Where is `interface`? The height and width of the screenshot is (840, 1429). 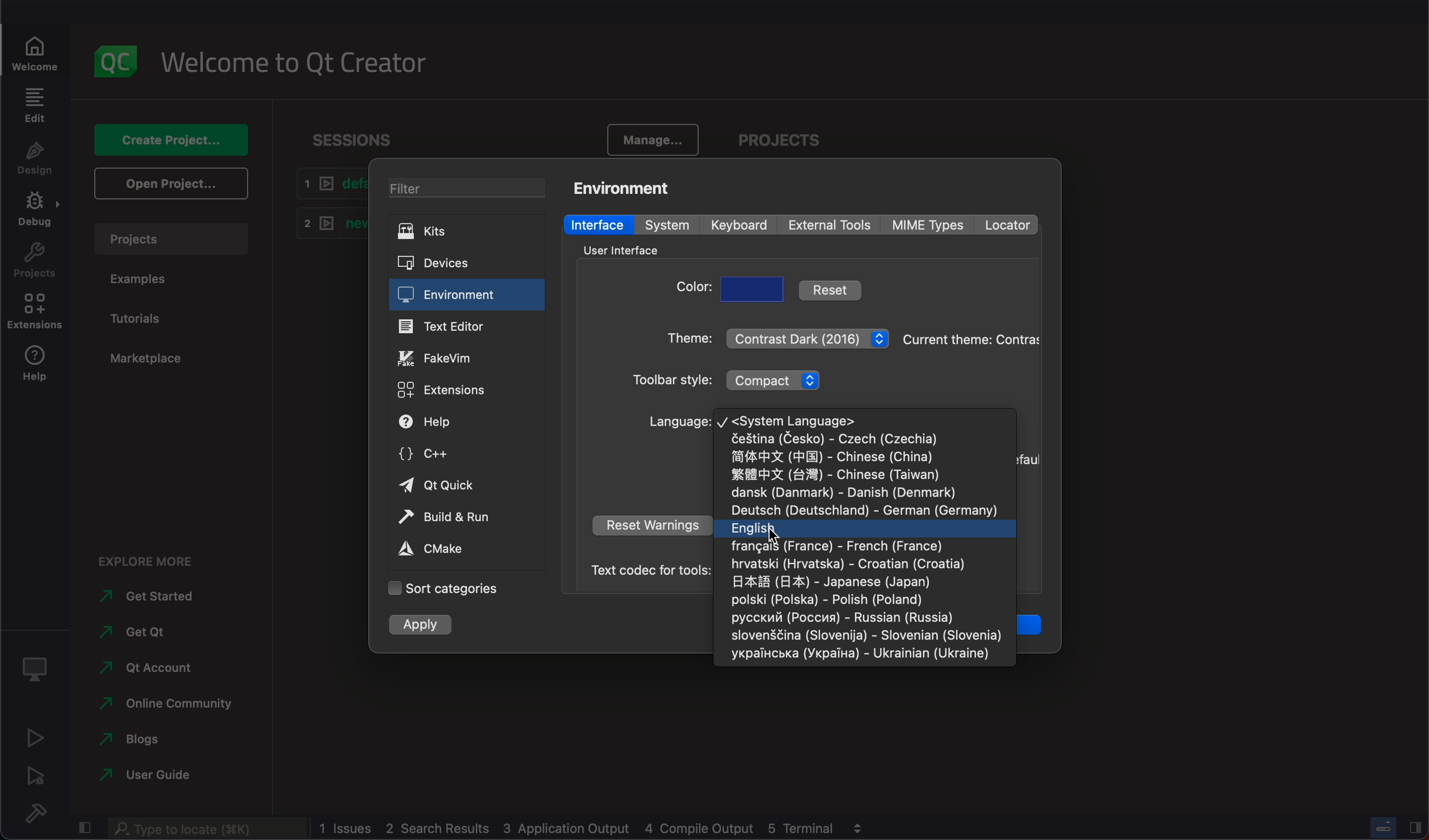
interface is located at coordinates (625, 248).